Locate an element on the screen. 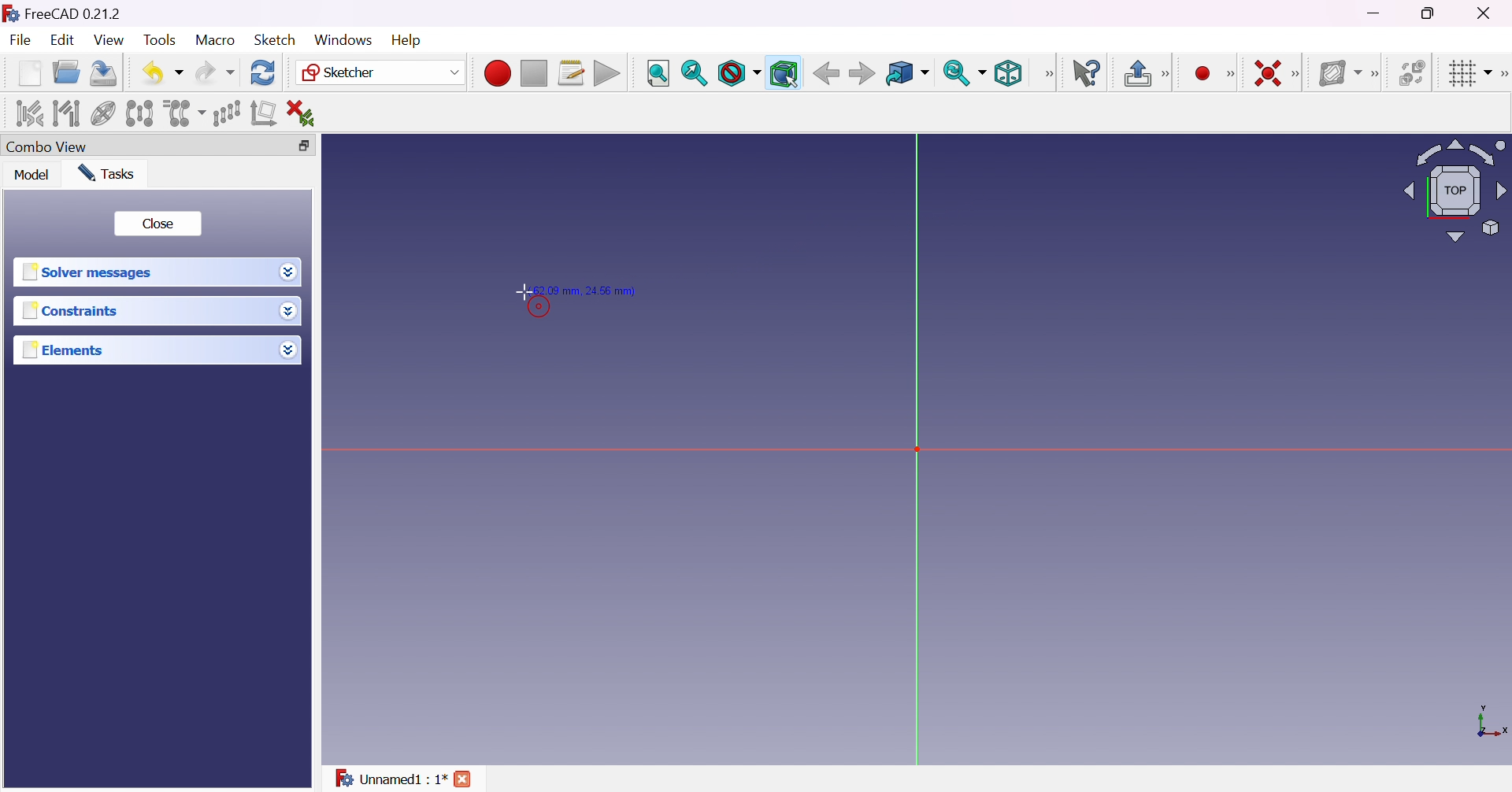  Leave sketch is located at coordinates (1147, 73).